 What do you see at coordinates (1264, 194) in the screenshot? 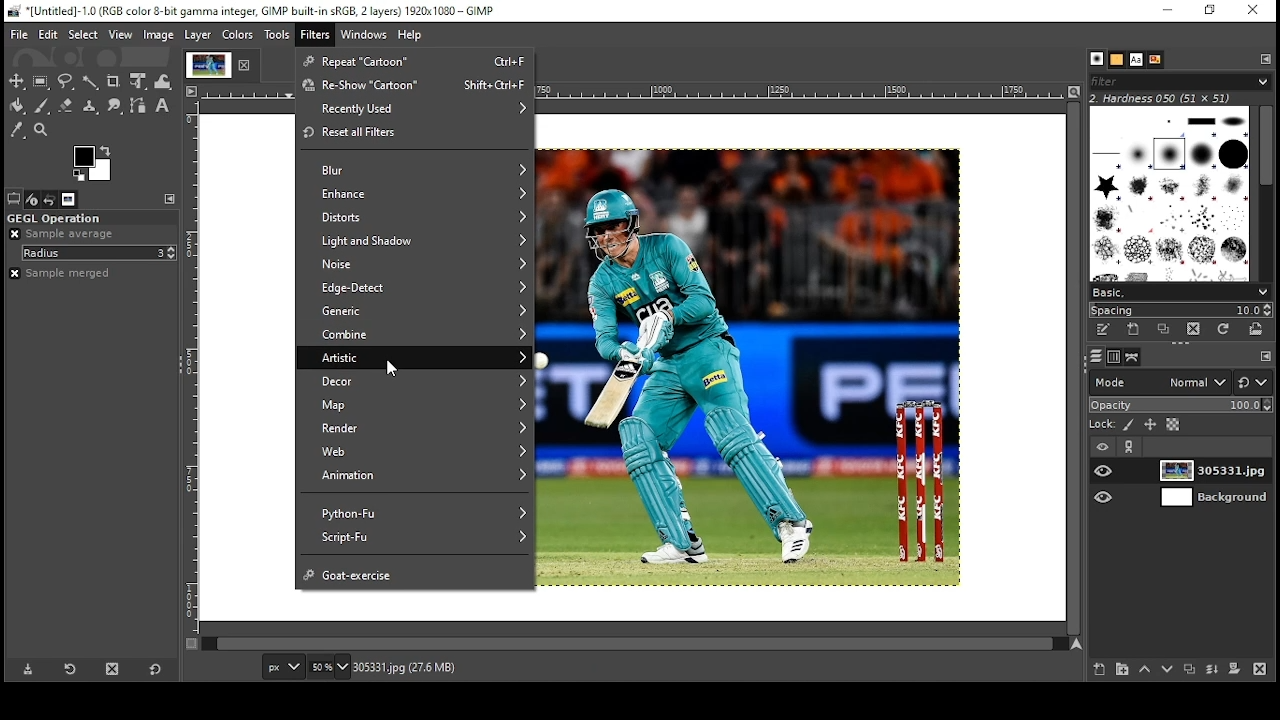
I see `scroll bar` at bounding box center [1264, 194].